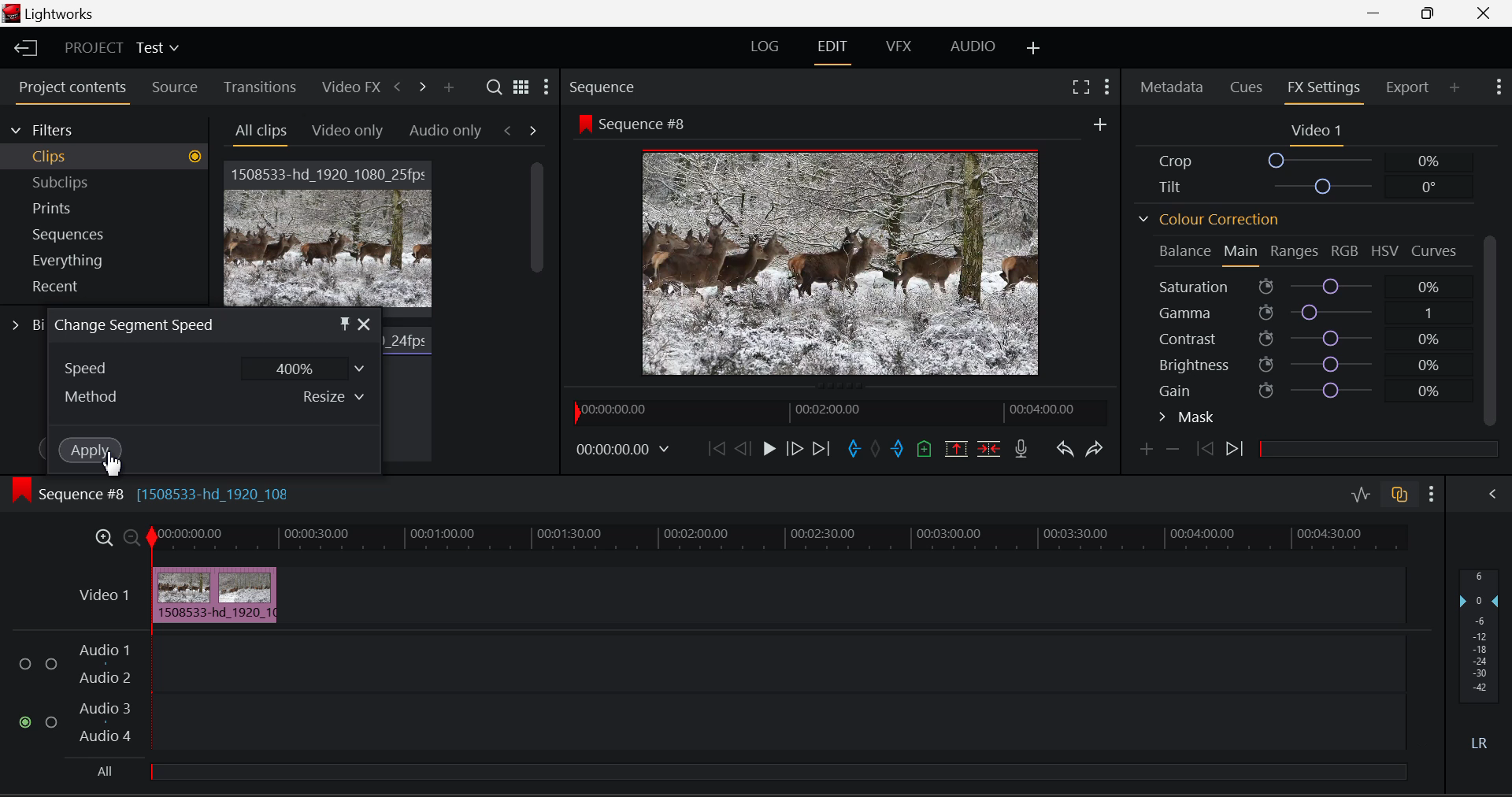  What do you see at coordinates (1429, 493) in the screenshot?
I see `Show Settings` at bounding box center [1429, 493].